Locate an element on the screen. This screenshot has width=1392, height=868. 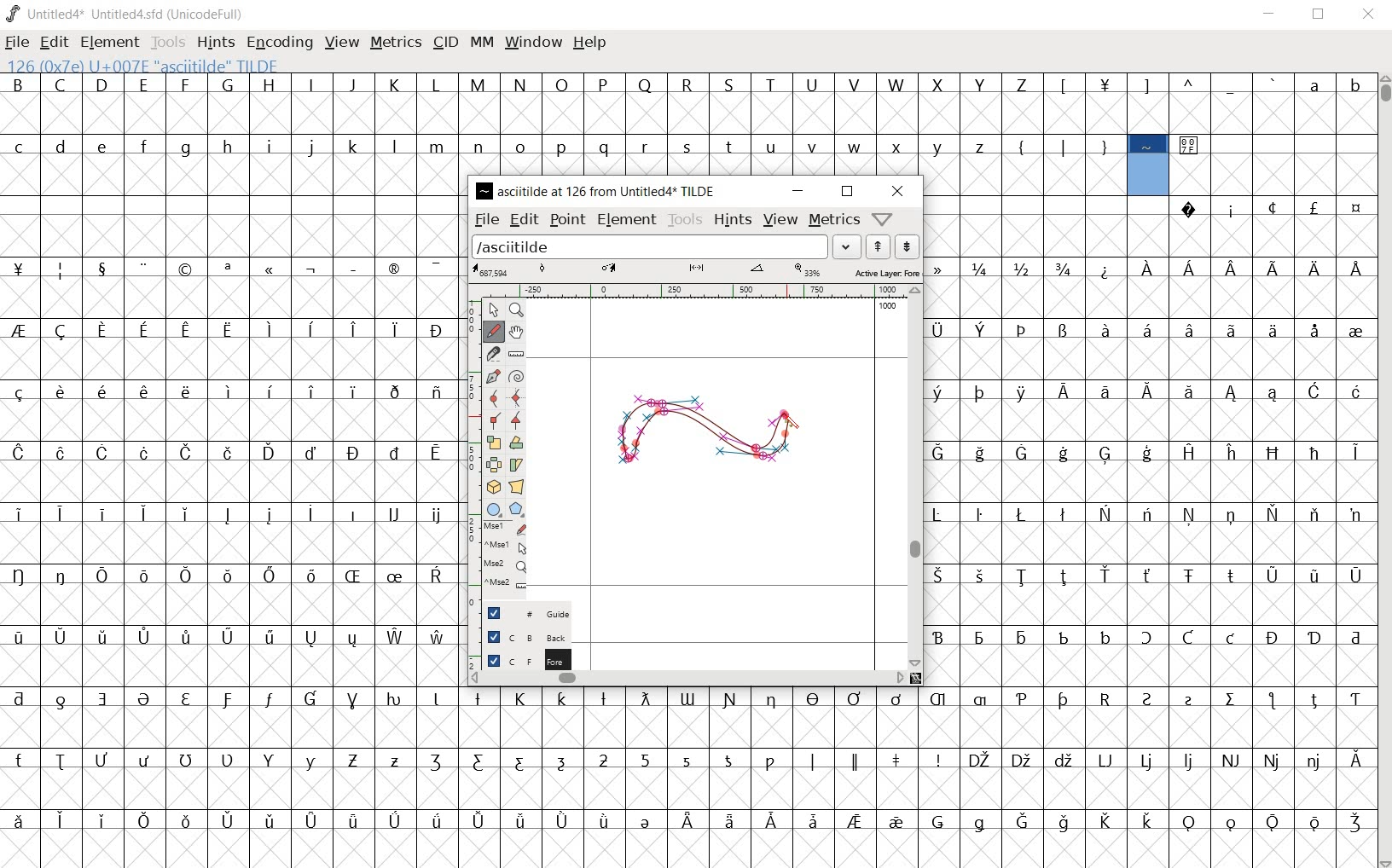
rectangle or ellipse is located at coordinates (493, 510).